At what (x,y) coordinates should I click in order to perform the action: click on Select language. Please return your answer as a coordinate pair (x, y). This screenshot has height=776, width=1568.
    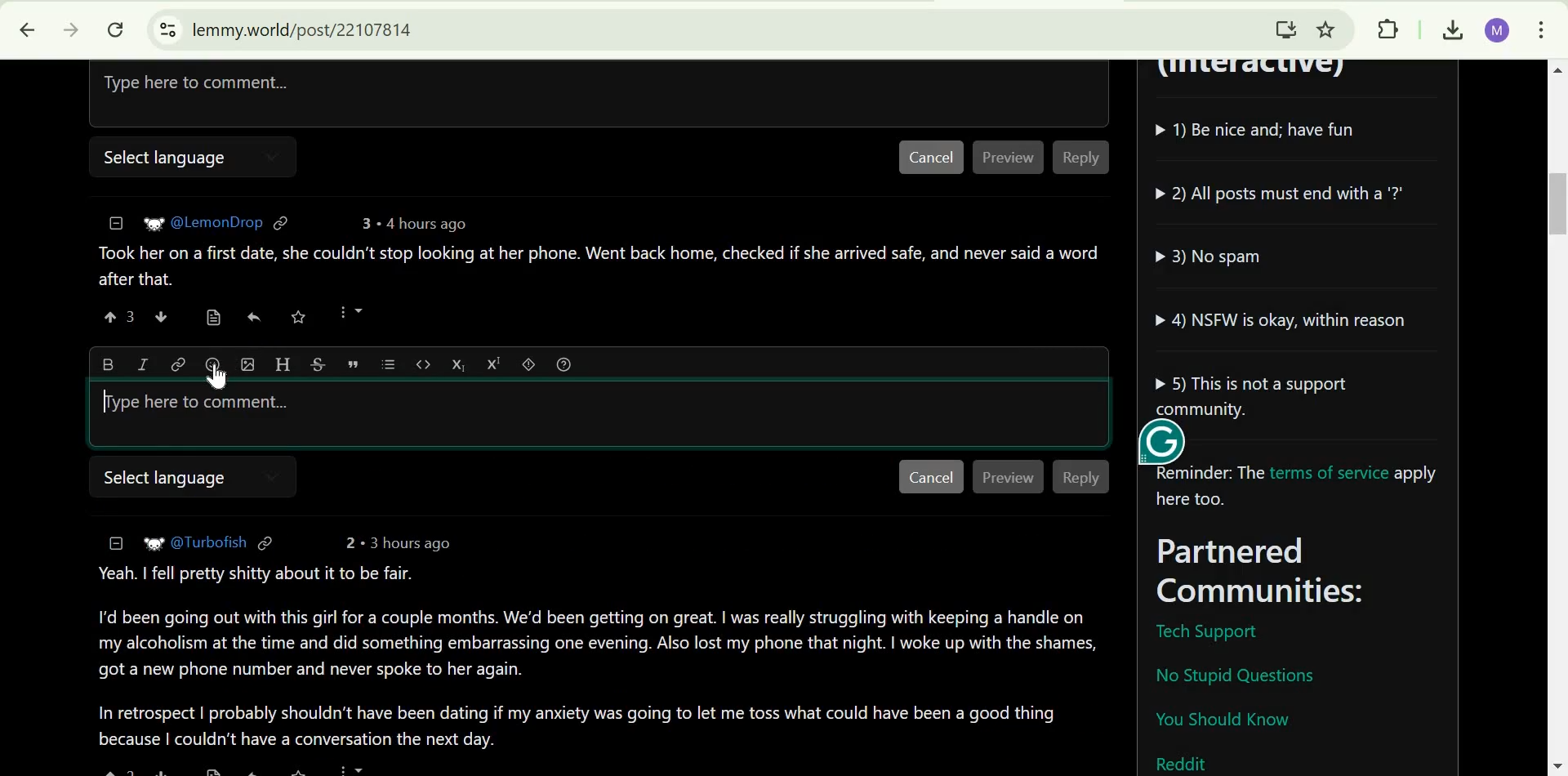
    Looking at the image, I should click on (160, 158).